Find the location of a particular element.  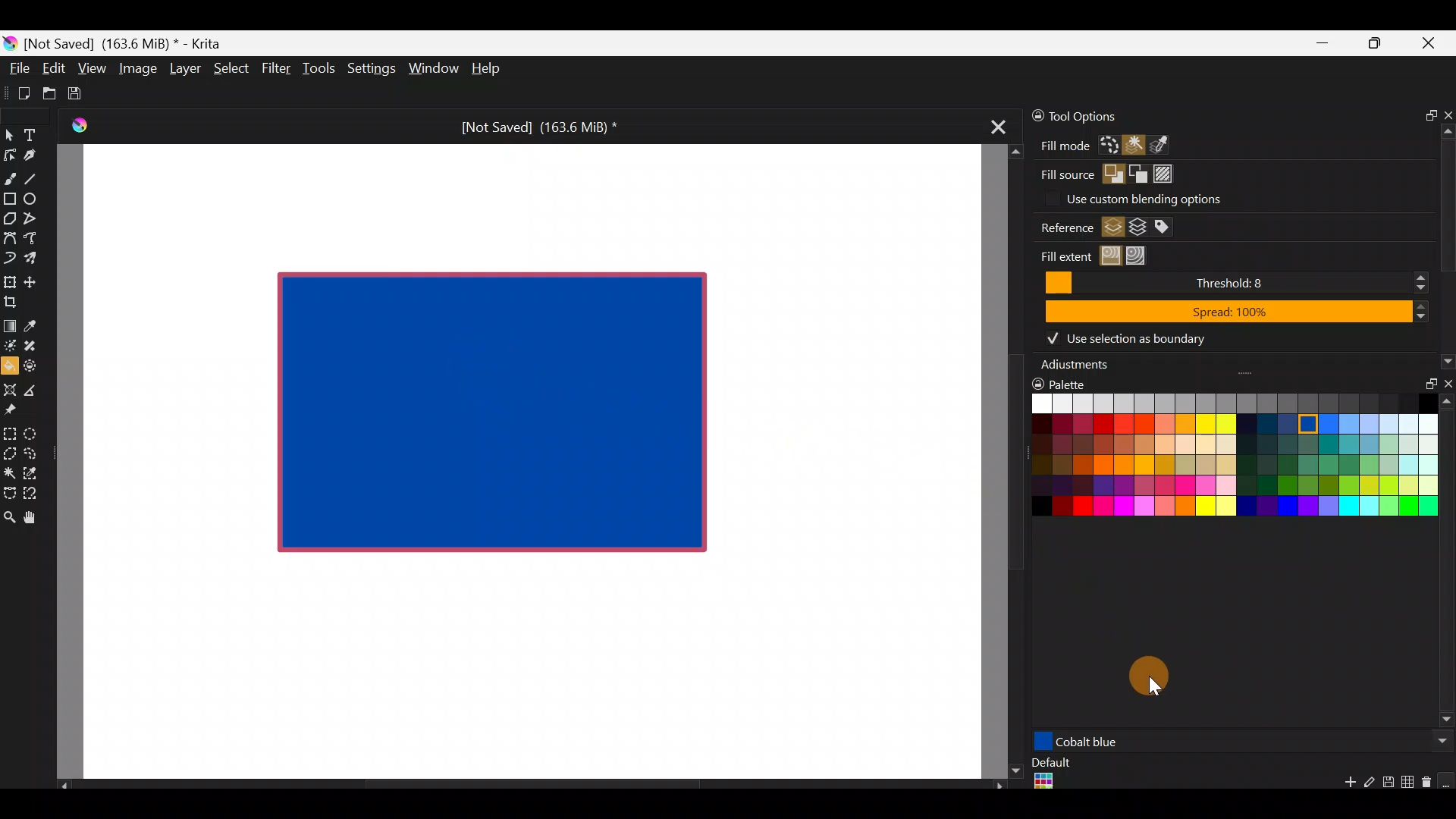

Smart patch tool is located at coordinates (36, 344).